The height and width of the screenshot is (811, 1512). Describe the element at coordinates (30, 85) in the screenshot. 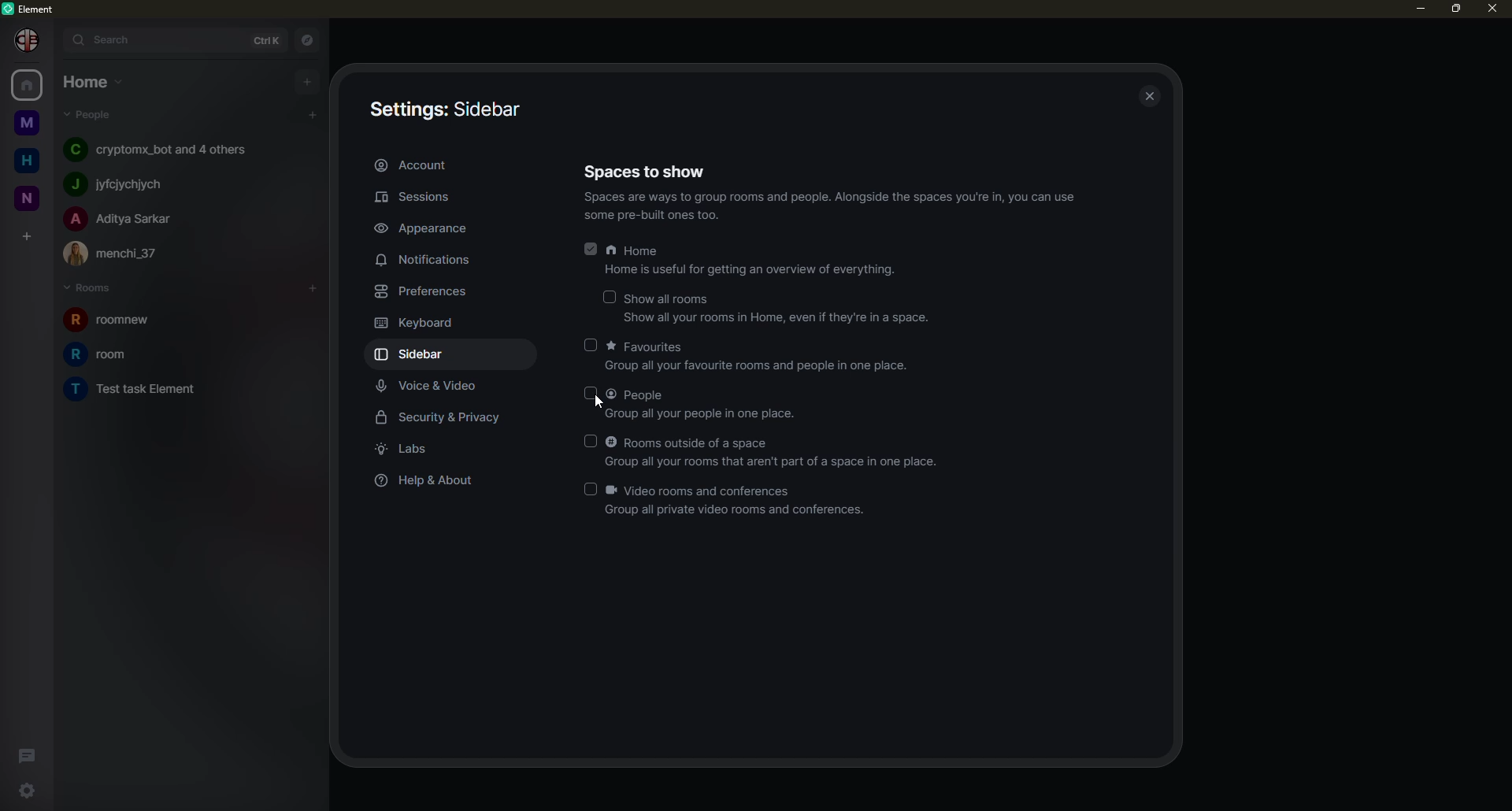

I see `home` at that location.